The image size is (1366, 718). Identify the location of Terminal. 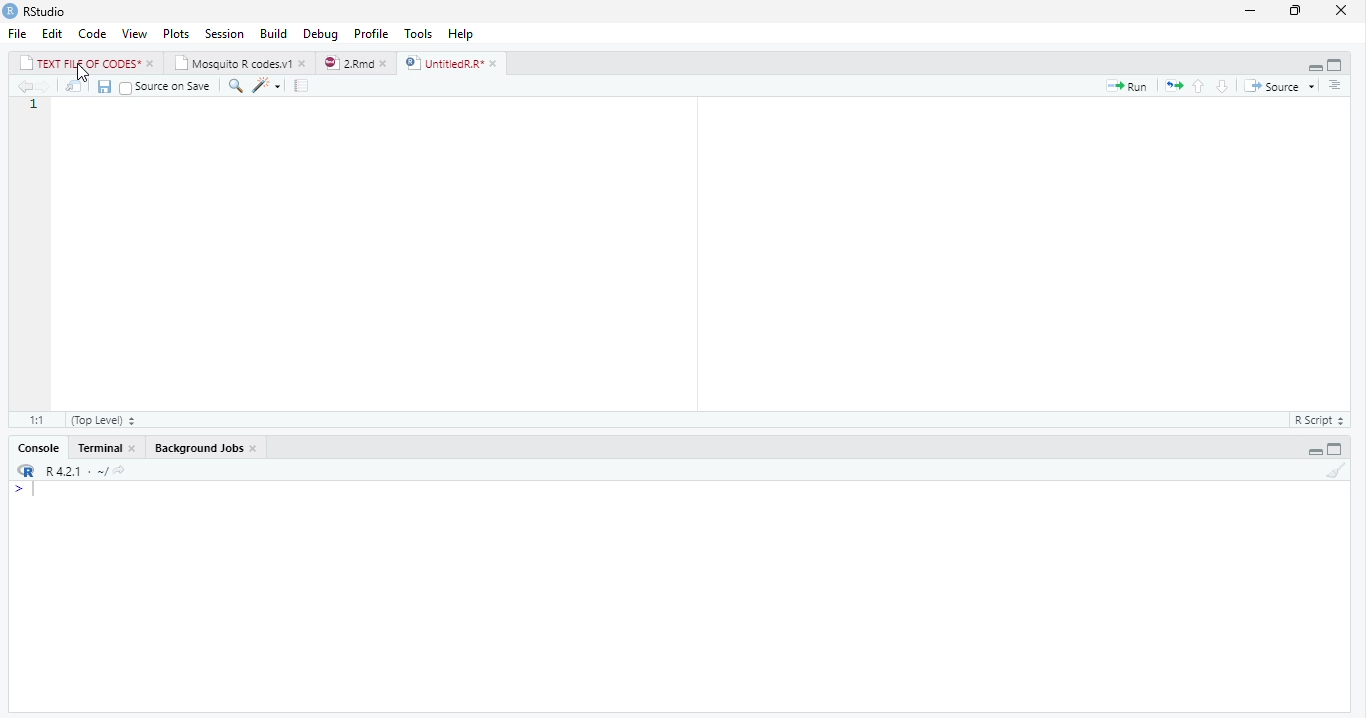
(101, 448).